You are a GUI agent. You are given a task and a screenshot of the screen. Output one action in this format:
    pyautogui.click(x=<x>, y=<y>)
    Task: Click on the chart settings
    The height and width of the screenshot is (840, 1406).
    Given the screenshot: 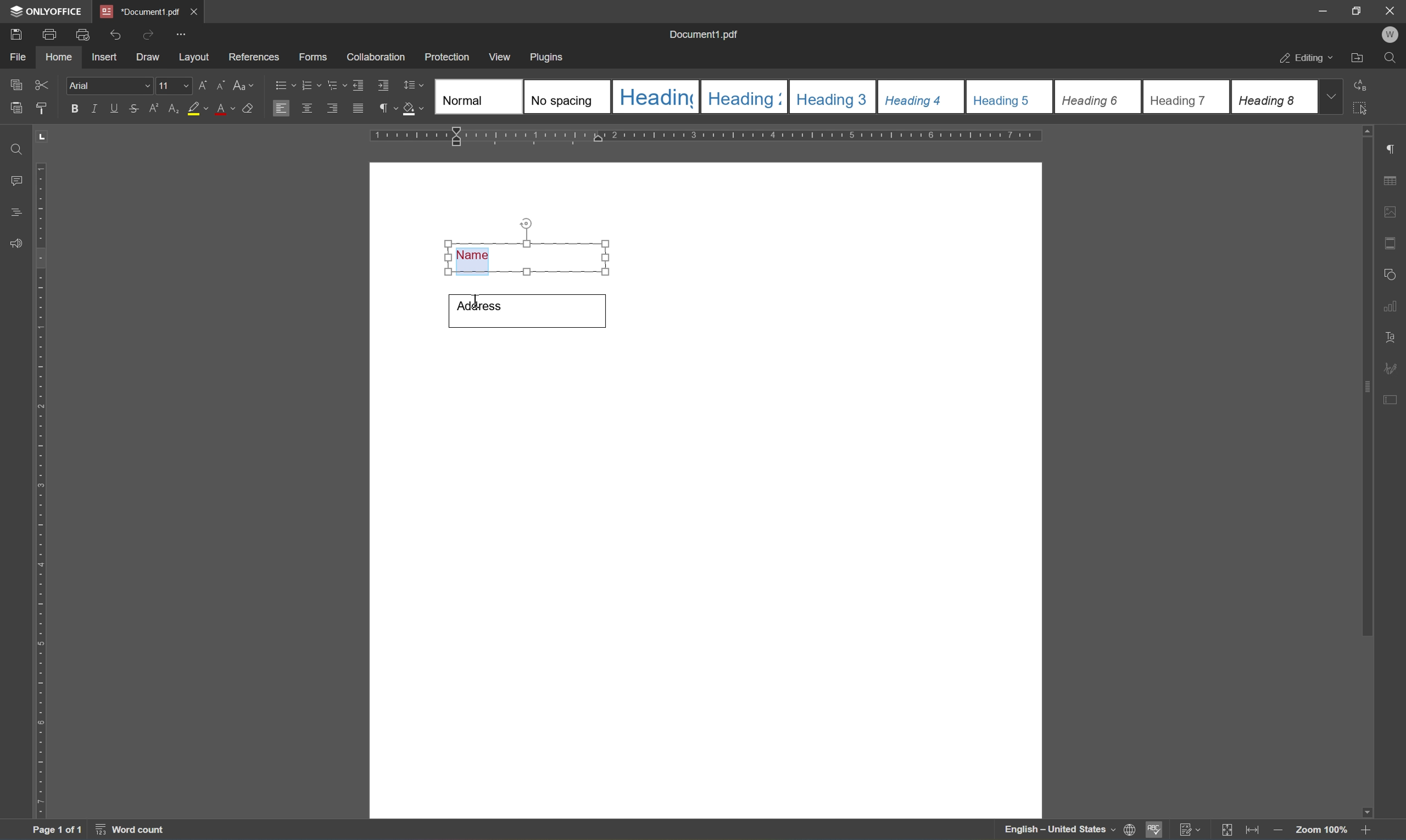 What is the action you would take?
    pyautogui.click(x=1393, y=307)
    